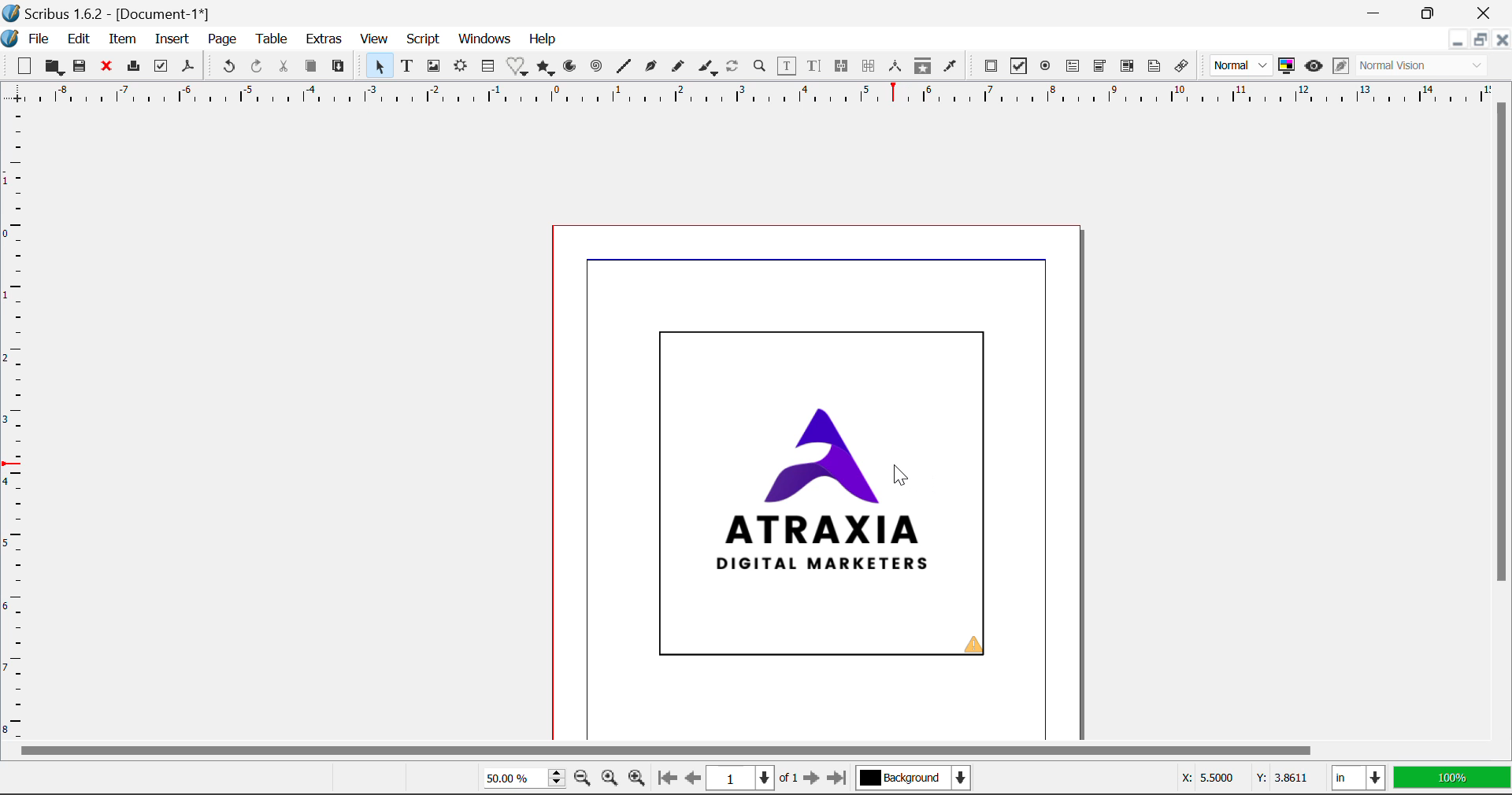 The image size is (1512, 795). I want to click on Normal Vision, so click(1422, 65).